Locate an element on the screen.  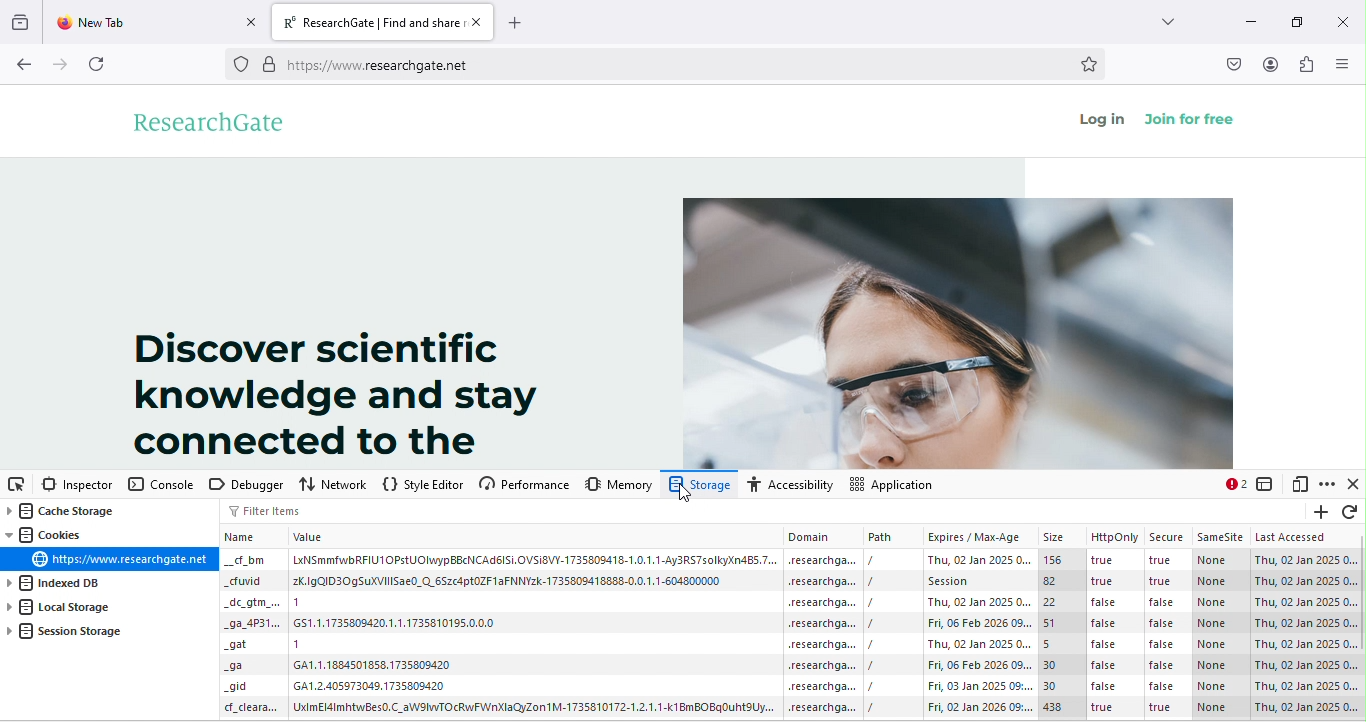
 is located at coordinates (242, 646).